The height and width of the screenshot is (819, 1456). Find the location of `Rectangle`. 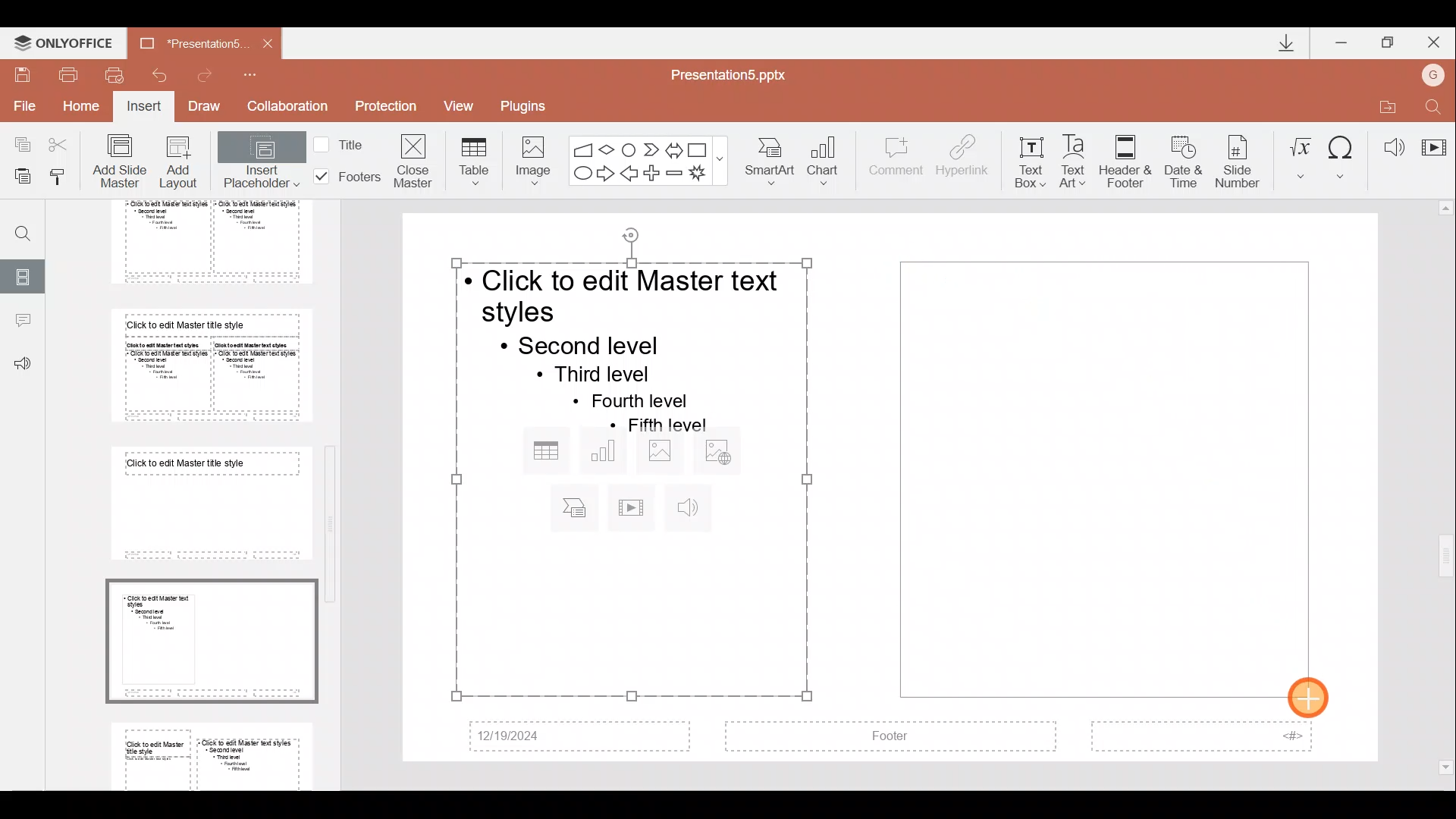

Rectangle is located at coordinates (699, 148).